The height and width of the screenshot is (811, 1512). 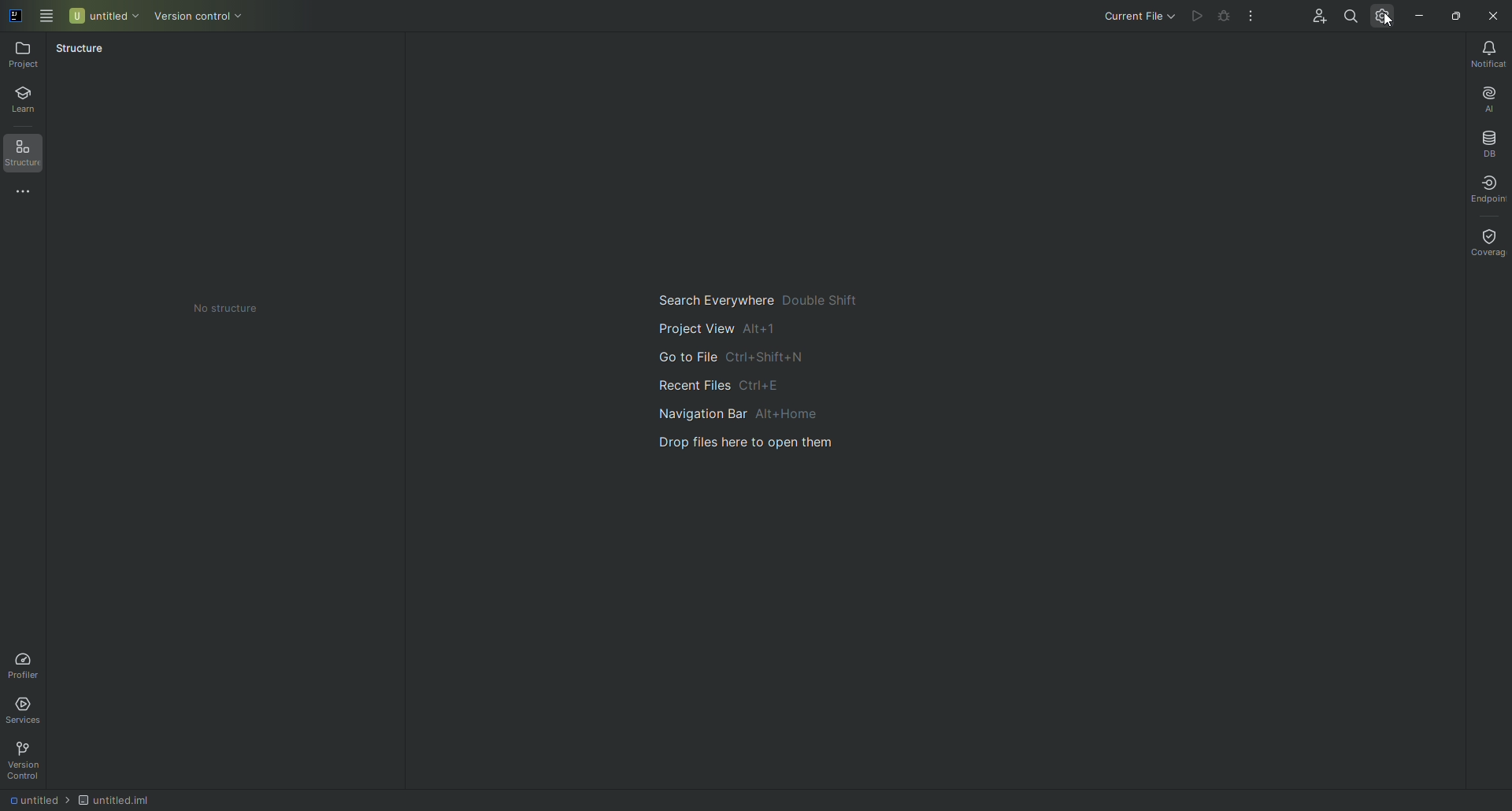 What do you see at coordinates (195, 16) in the screenshot?
I see `Version Control` at bounding box center [195, 16].